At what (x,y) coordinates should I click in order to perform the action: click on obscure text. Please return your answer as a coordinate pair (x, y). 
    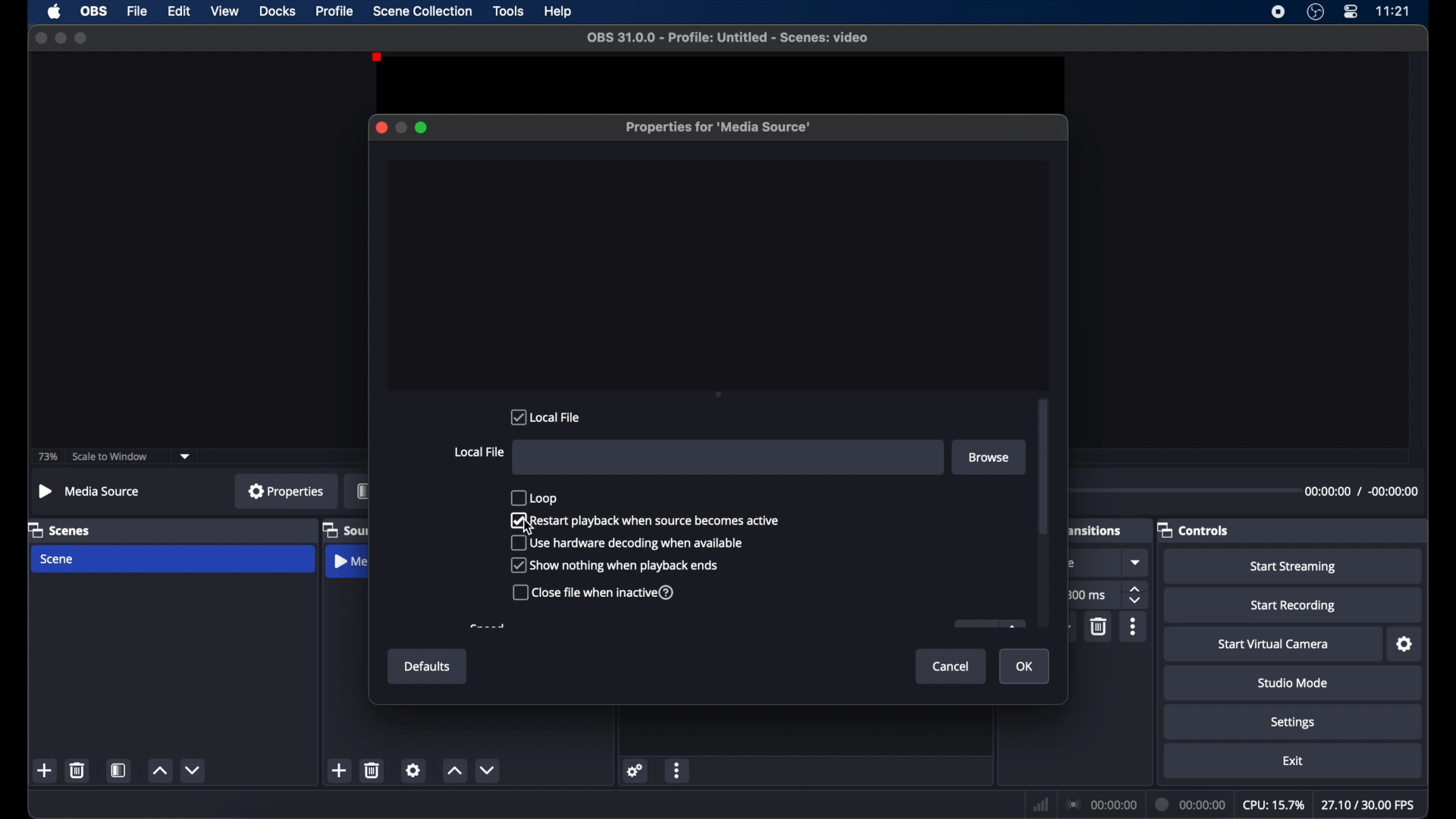
    Looking at the image, I should click on (1096, 529).